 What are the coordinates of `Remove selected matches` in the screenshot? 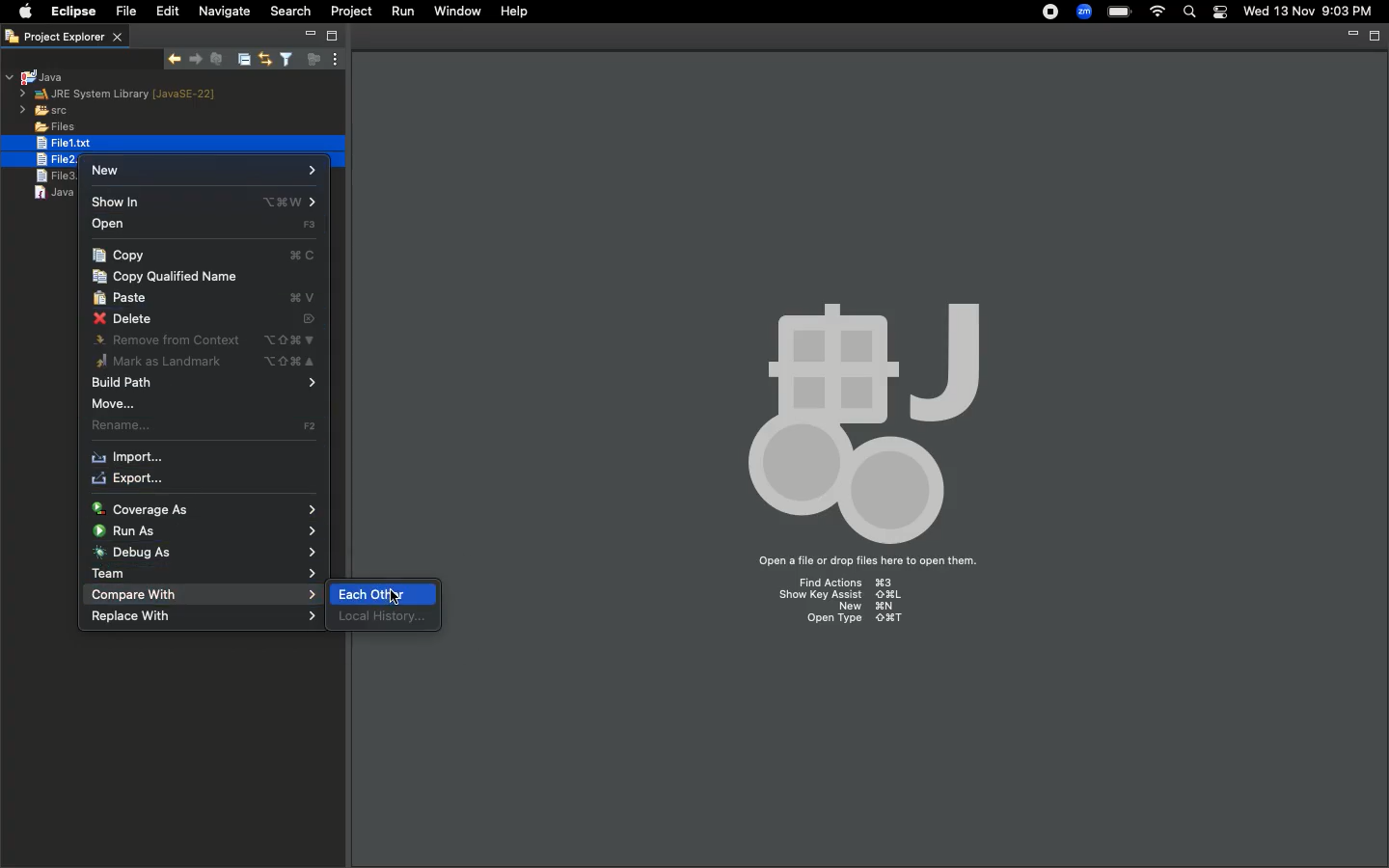 It's located at (216, 58).